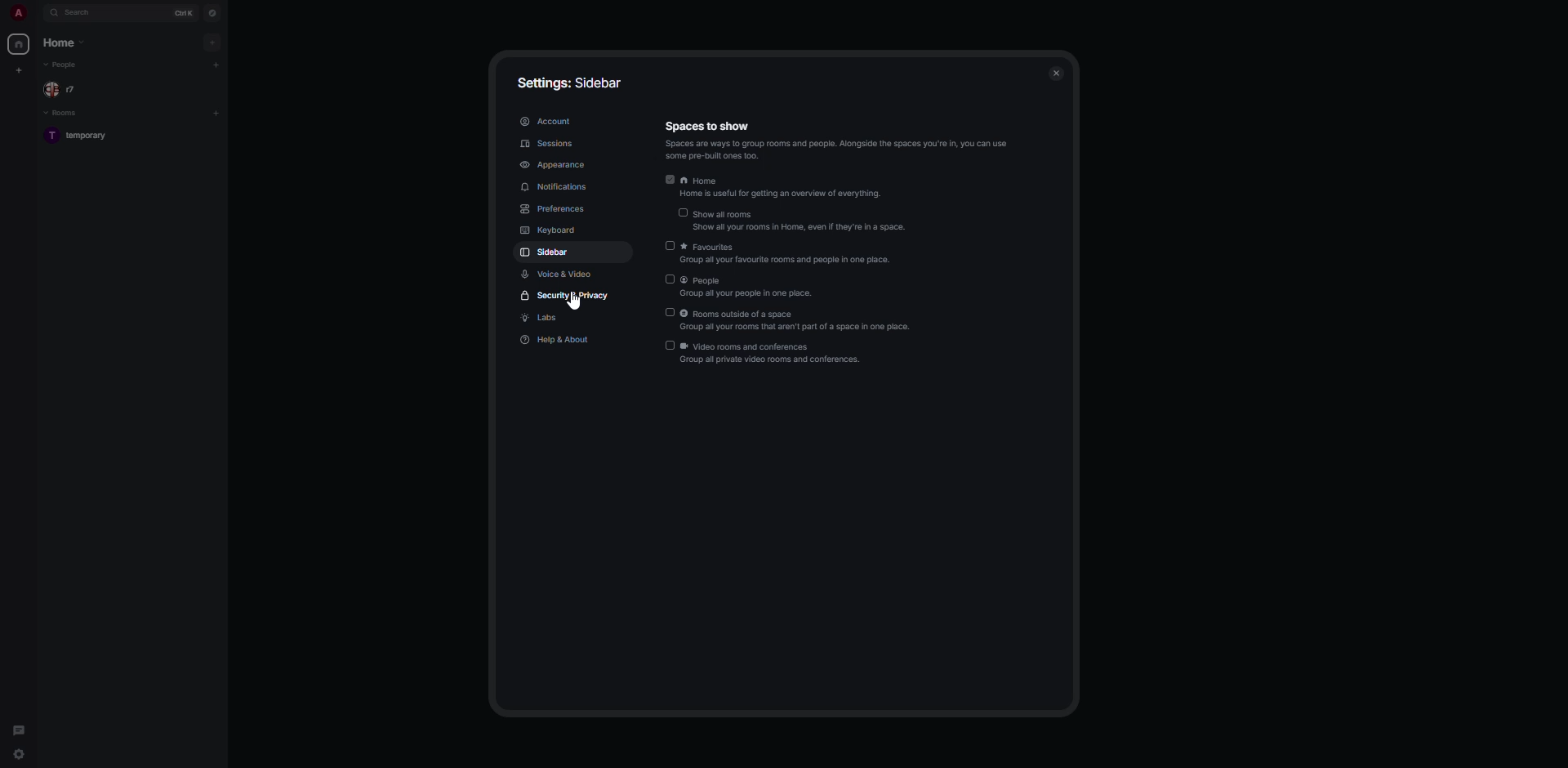 Image resolution: width=1568 pixels, height=768 pixels. What do you see at coordinates (1055, 74) in the screenshot?
I see `close` at bounding box center [1055, 74].